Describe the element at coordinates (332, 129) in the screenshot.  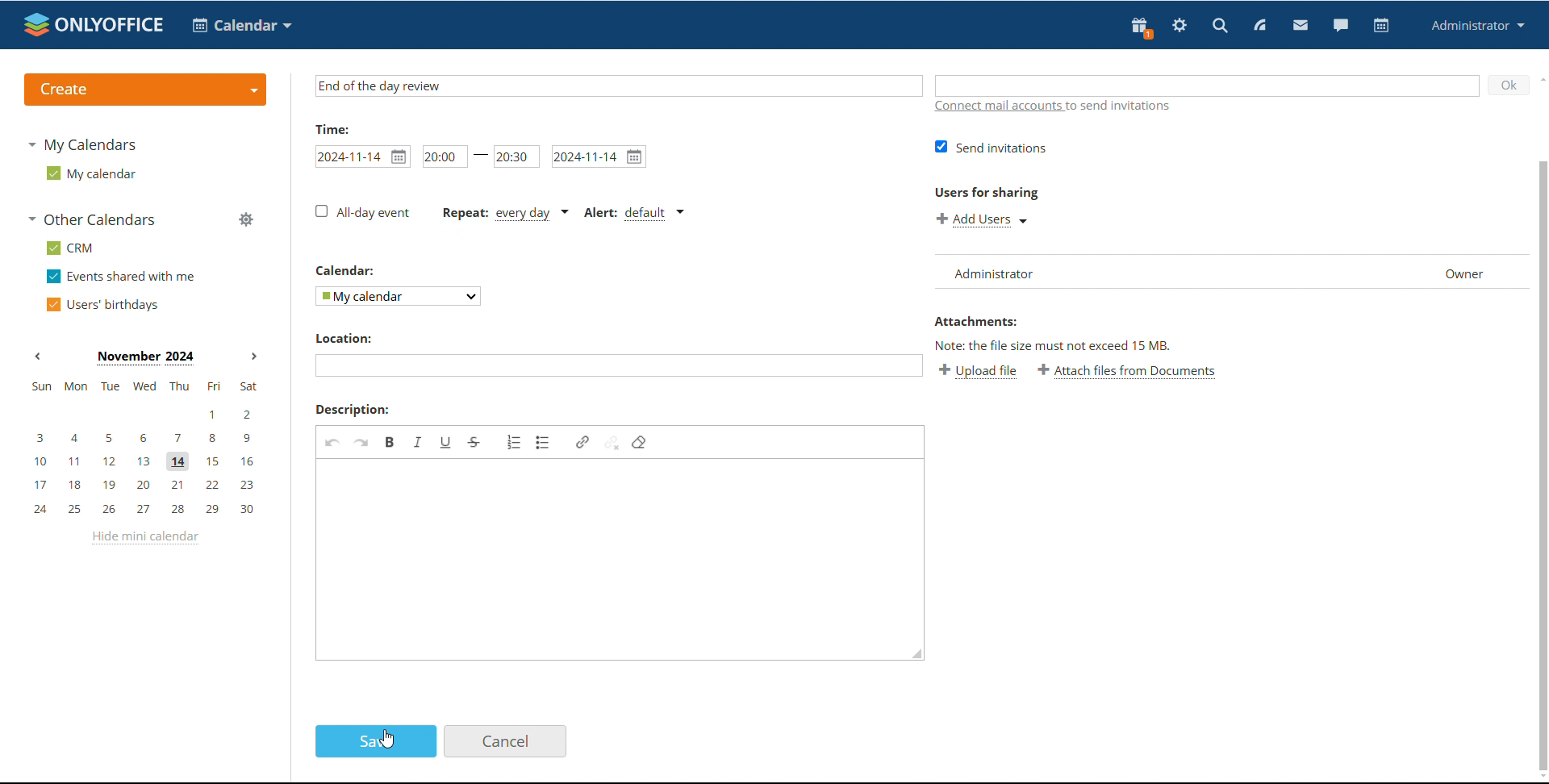
I see `time` at that location.